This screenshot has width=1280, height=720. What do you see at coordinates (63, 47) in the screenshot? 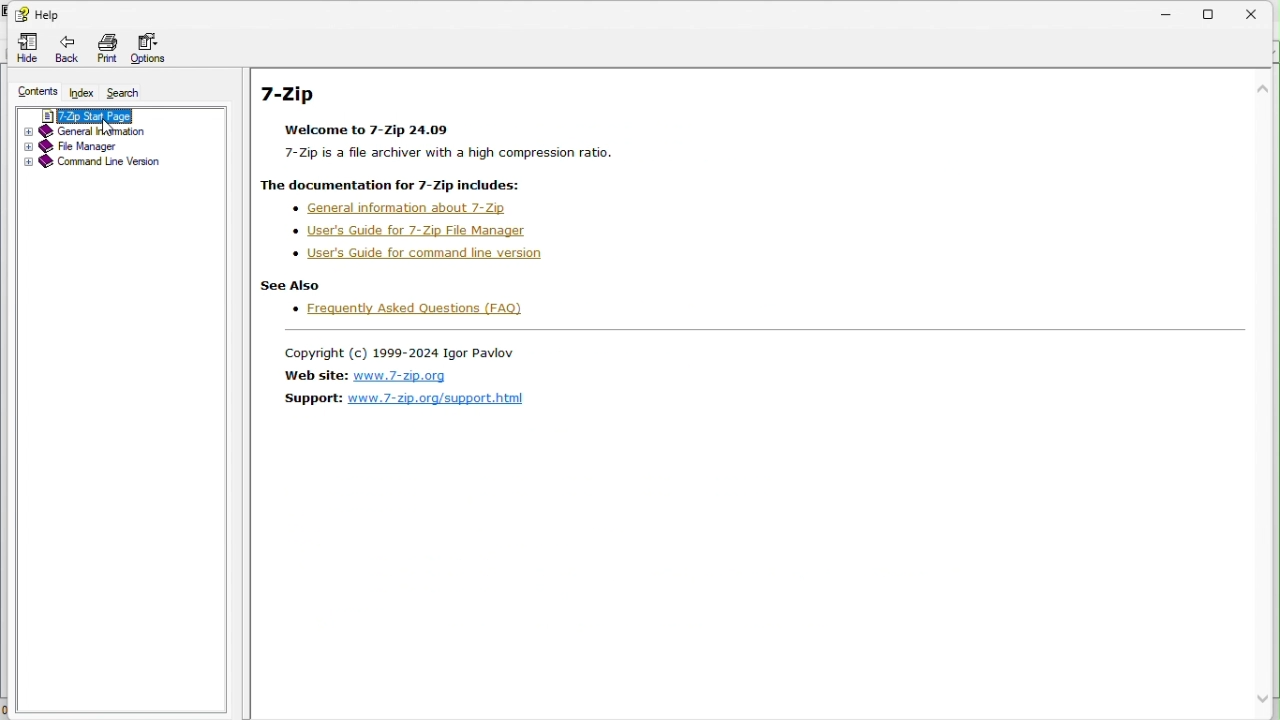
I see `Back` at bounding box center [63, 47].